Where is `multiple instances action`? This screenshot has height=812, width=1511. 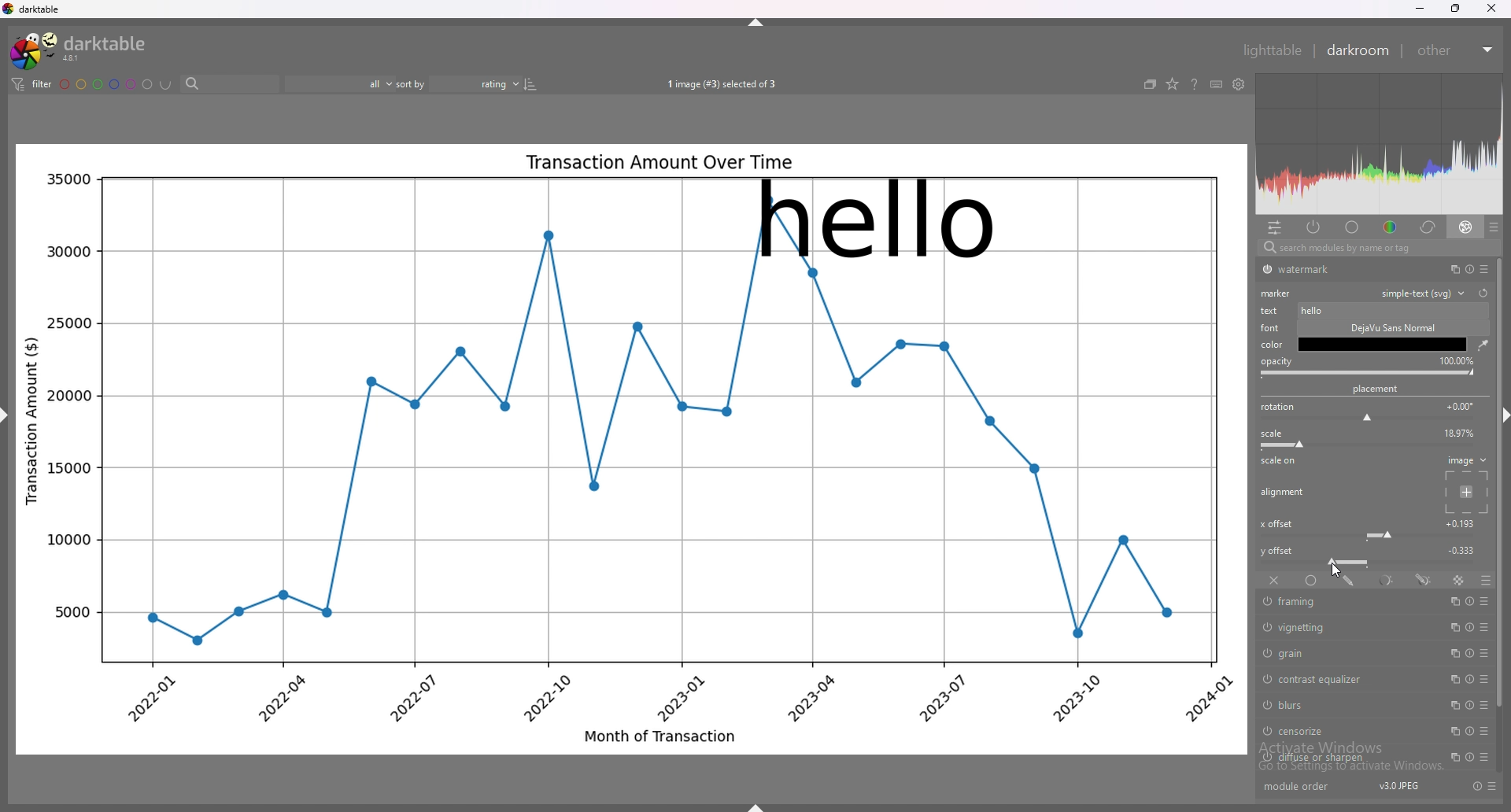 multiple instances action is located at coordinates (1454, 600).